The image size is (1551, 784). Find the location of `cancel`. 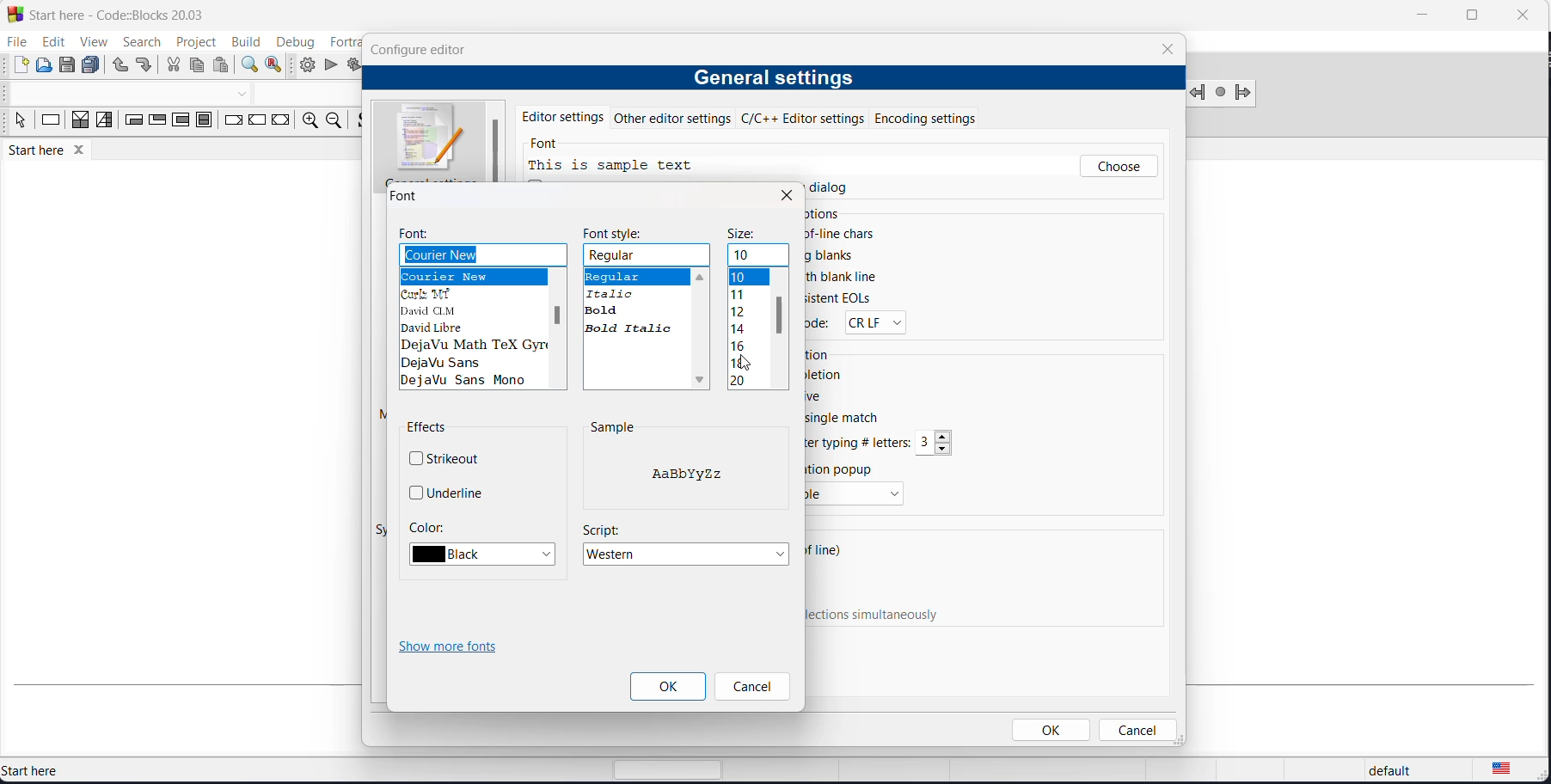

cancel is located at coordinates (751, 688).